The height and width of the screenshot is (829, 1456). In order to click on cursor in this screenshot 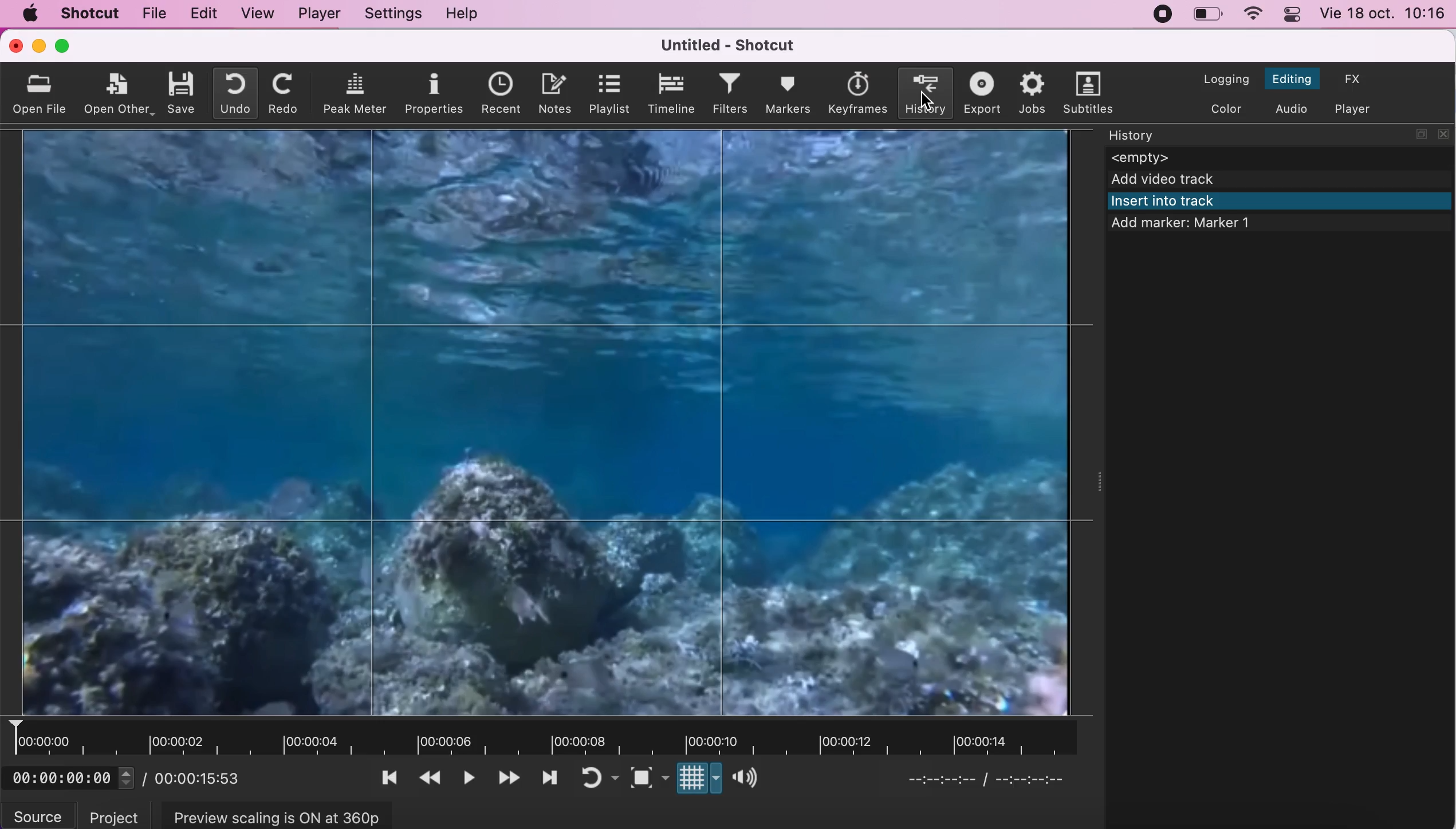, I will do `click(924, 98)`.